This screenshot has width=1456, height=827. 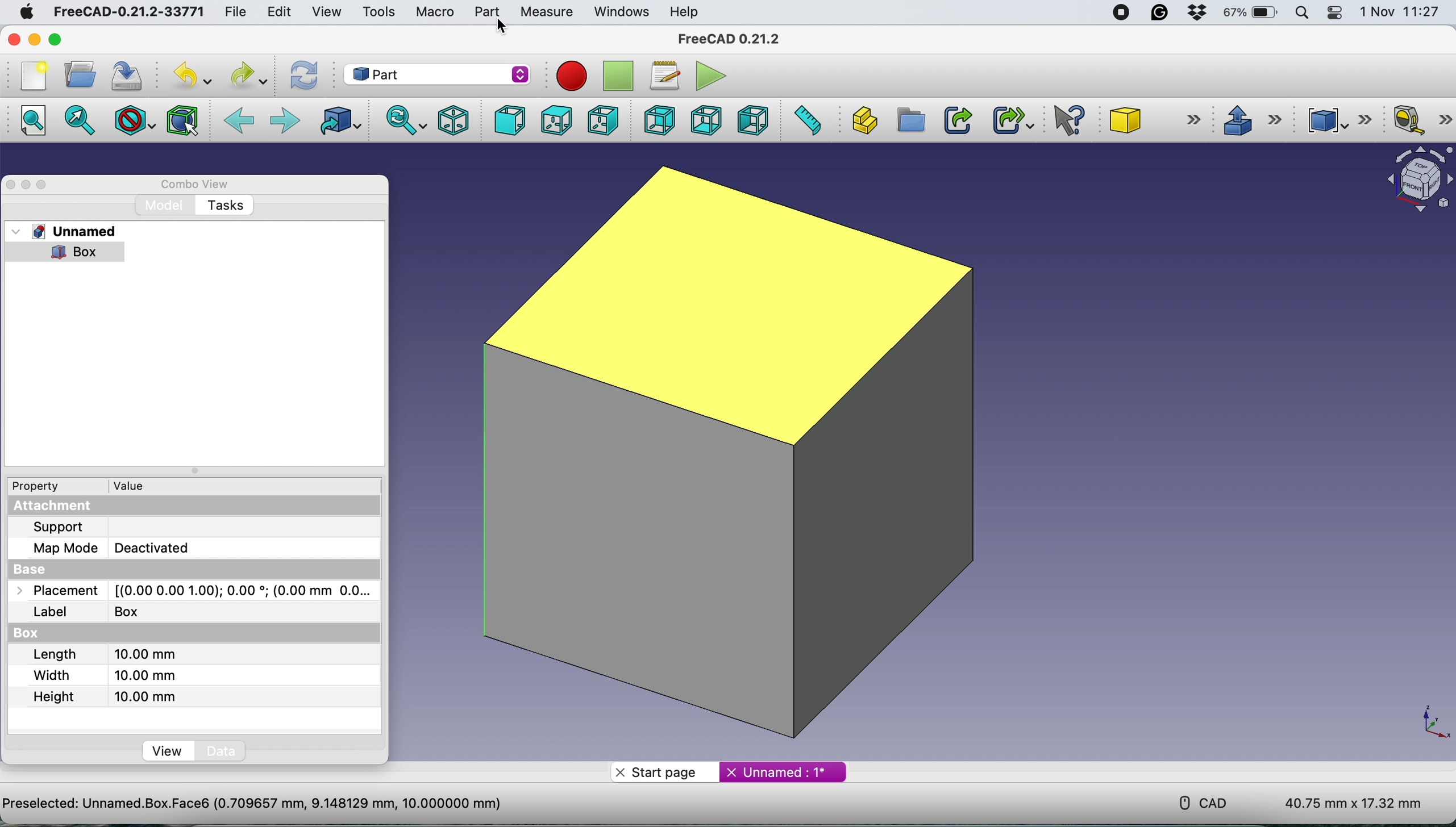 What do you see at coordinates (233, 12) in the screenshot?
I see `file` at bounding box center [233, 12].